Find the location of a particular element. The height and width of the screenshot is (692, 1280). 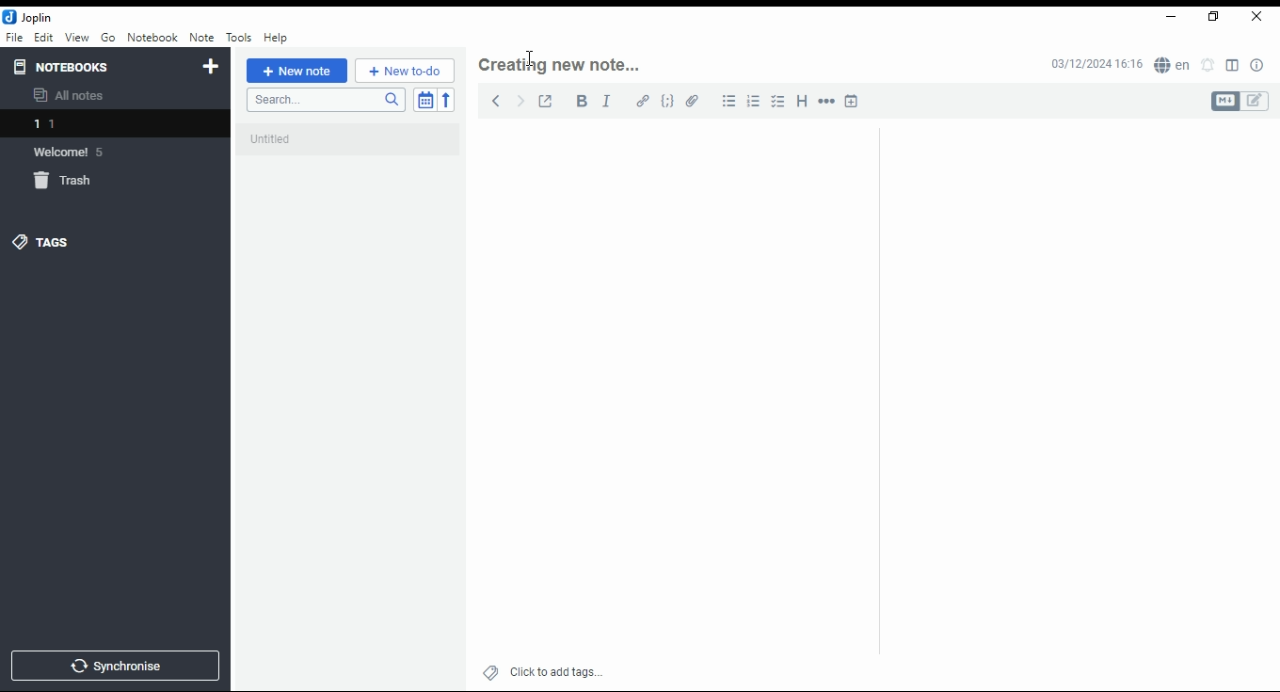

tags is located at coordinates (41, 241).